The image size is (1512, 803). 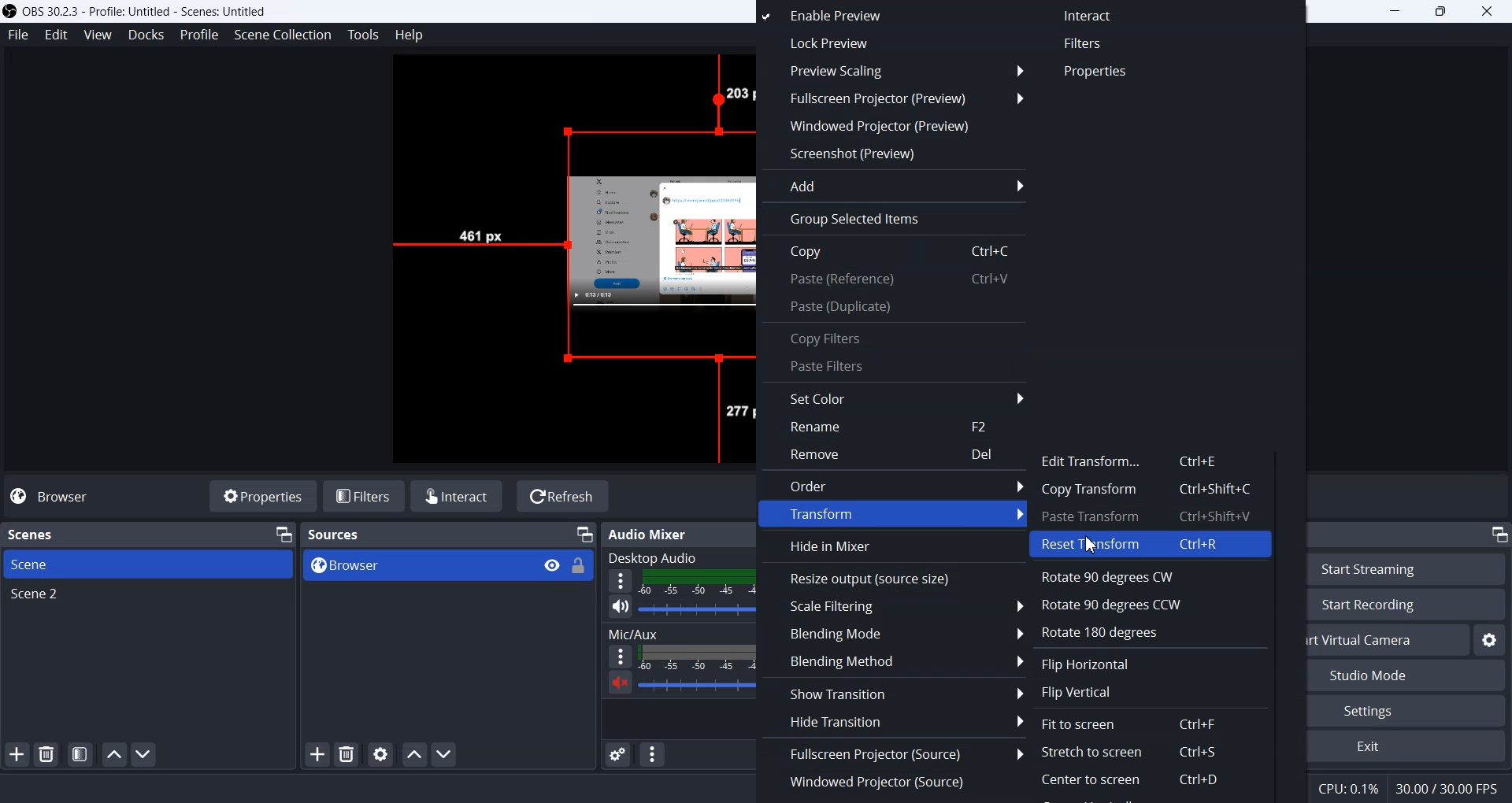 What do you see at coordinates (113, 755) in the screenshot?
I see `Move scene up` at bounding box center [113, 755].